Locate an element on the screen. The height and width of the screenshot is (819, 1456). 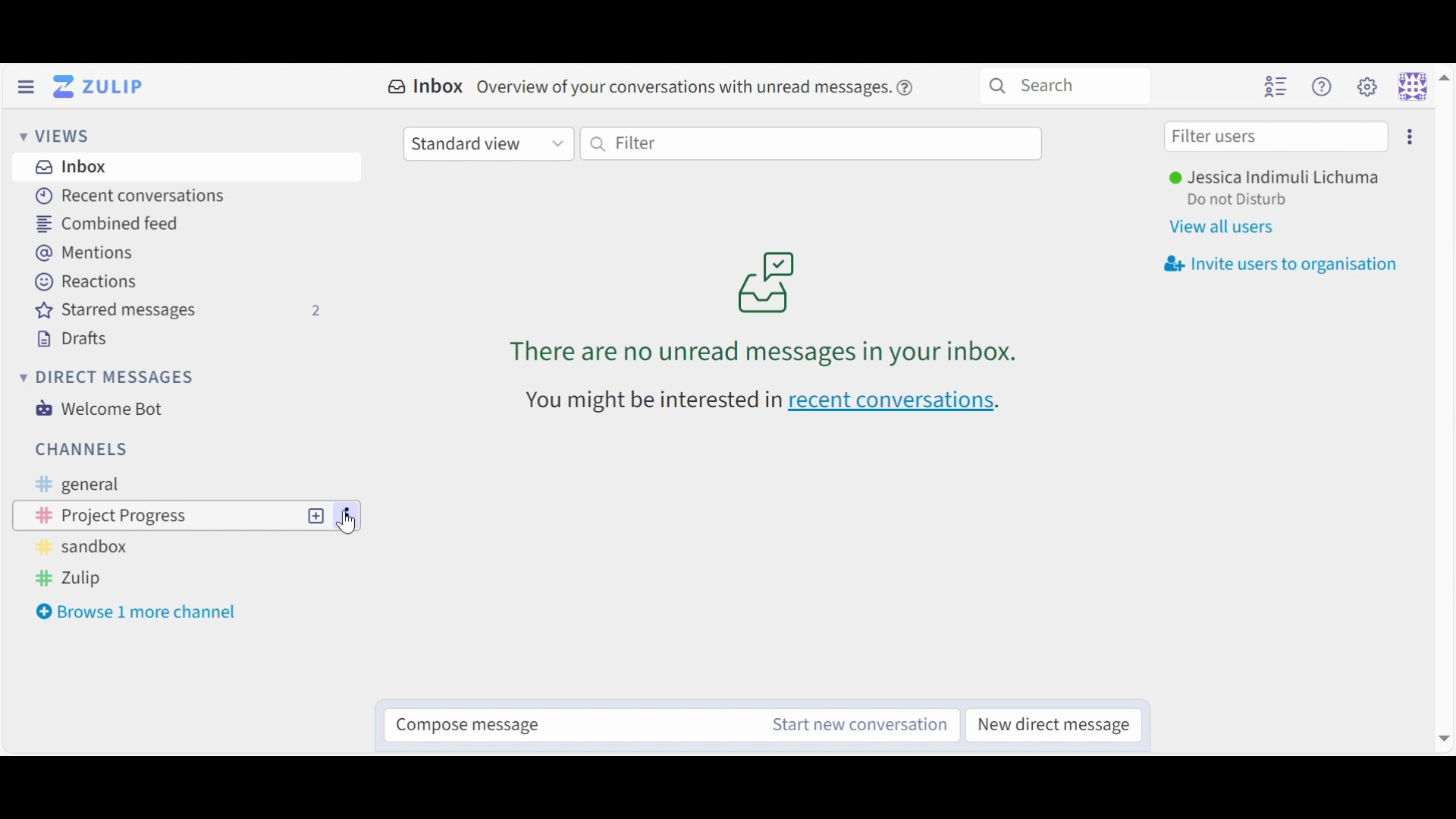
Invite user to organisation is located at coordinates (1278, 266).